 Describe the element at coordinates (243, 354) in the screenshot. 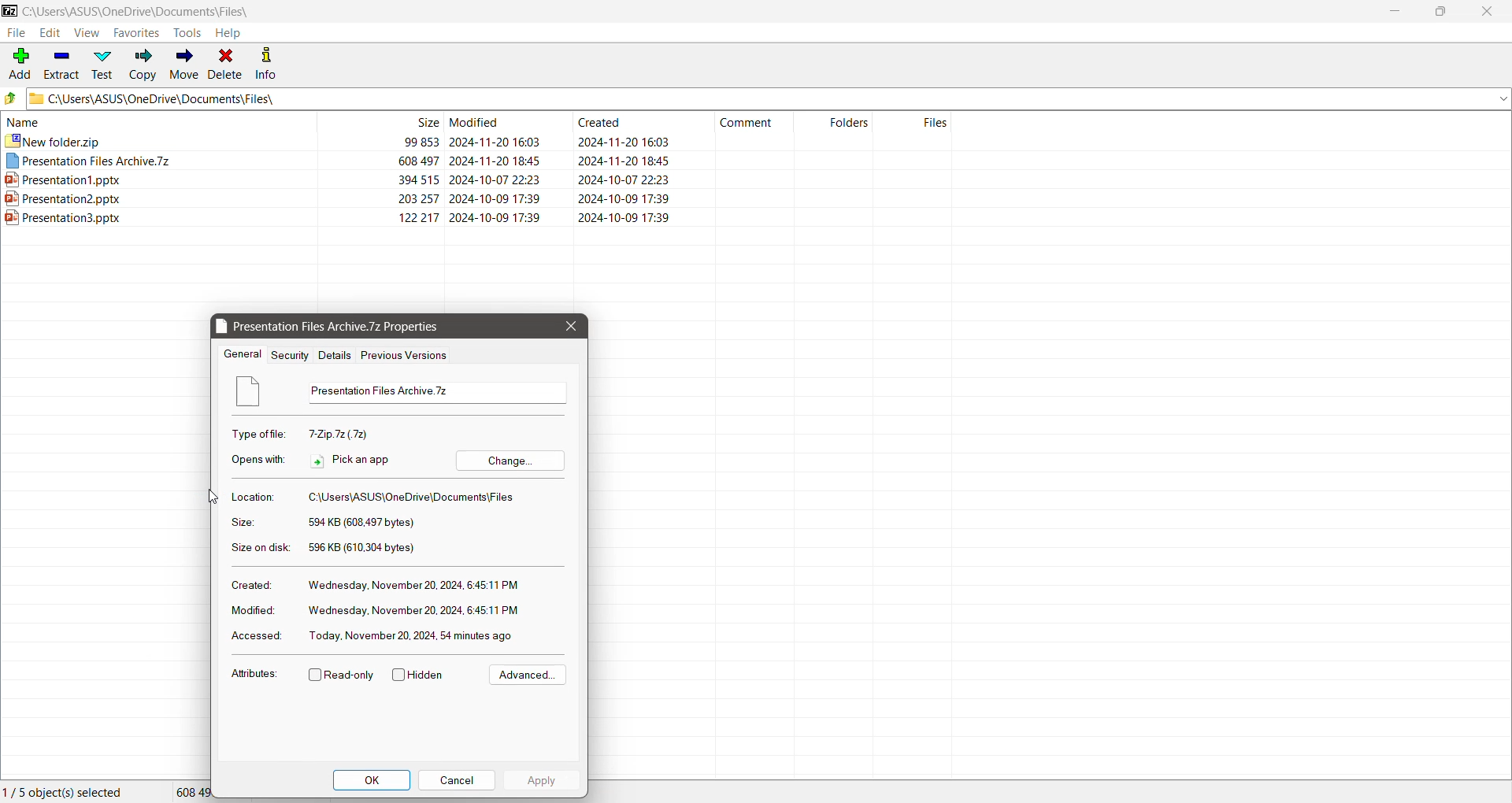

I see `General` at that location.